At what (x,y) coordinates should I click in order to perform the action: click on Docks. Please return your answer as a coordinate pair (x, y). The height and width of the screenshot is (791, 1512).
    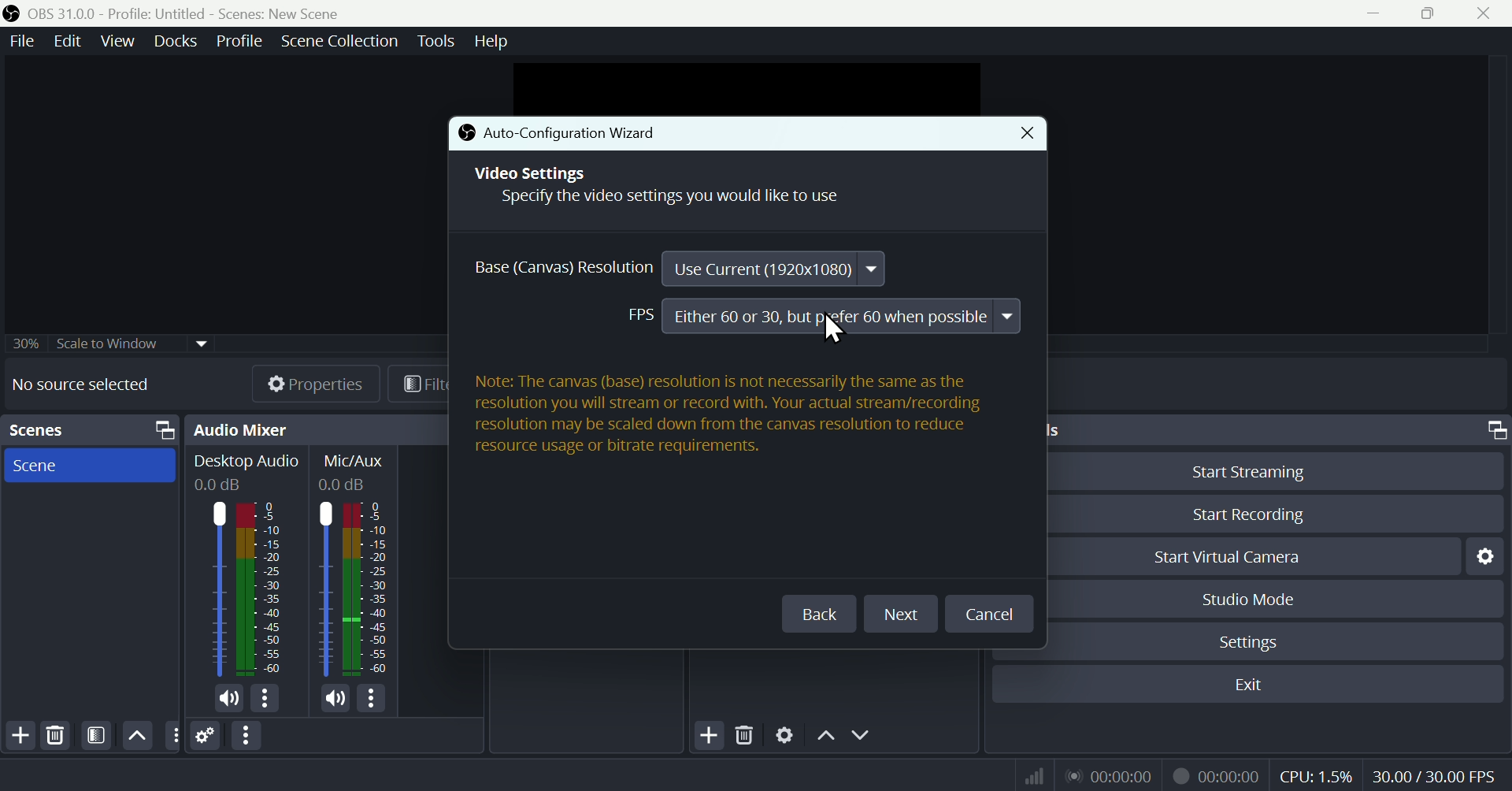
    Looking at the image, I should click on (170, 41).